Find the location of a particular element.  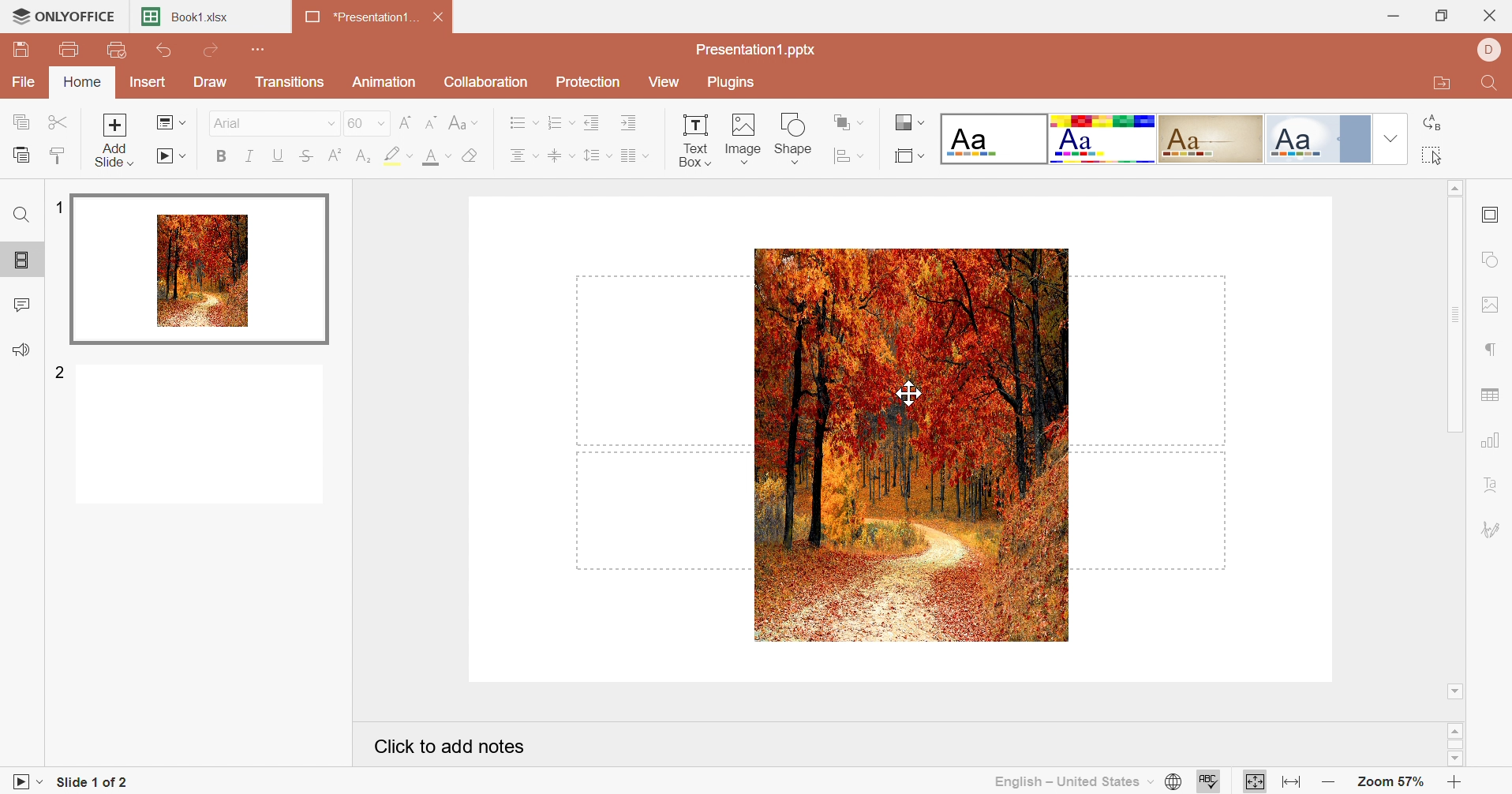

Slide 1 is located at coordinates (201, 271).